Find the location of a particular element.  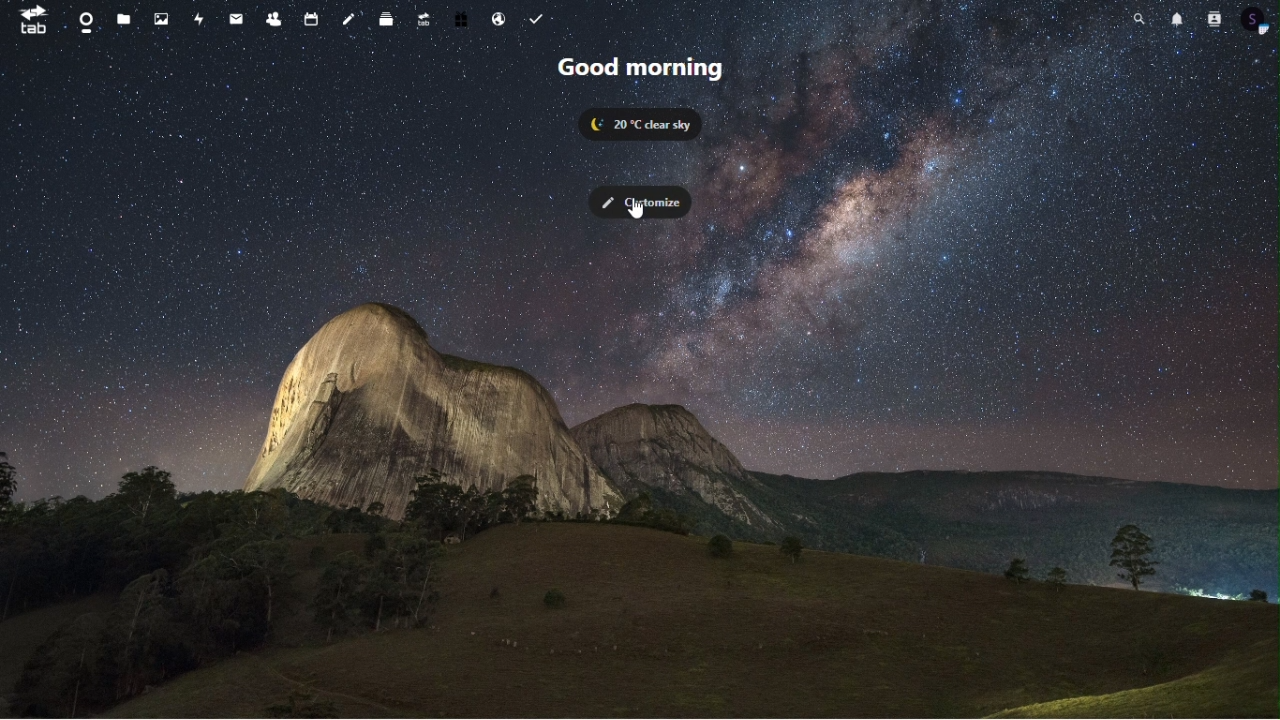

acticity is located at coordinates (201, 21).